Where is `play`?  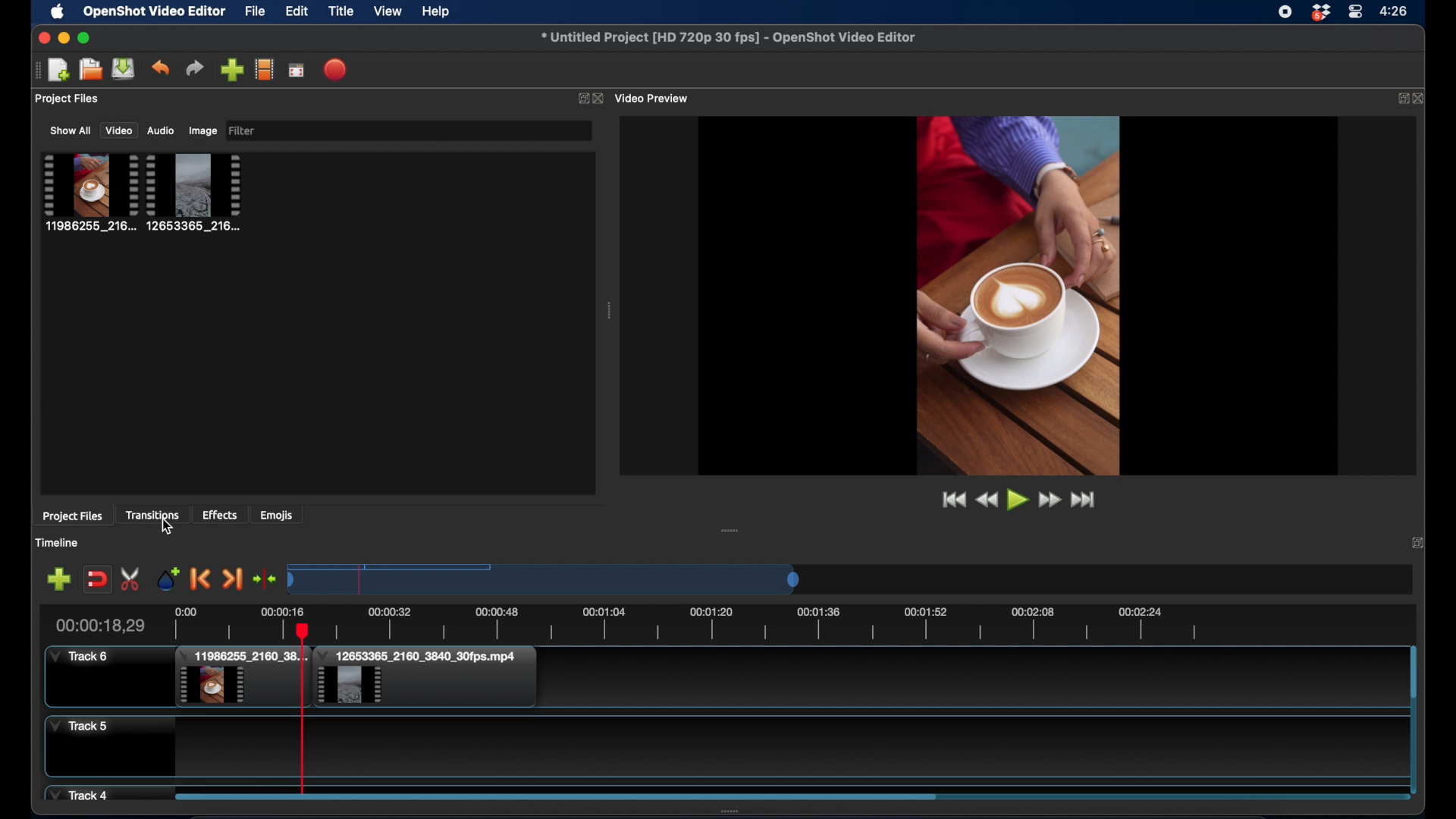
play is located at coordinates (1017, 501).